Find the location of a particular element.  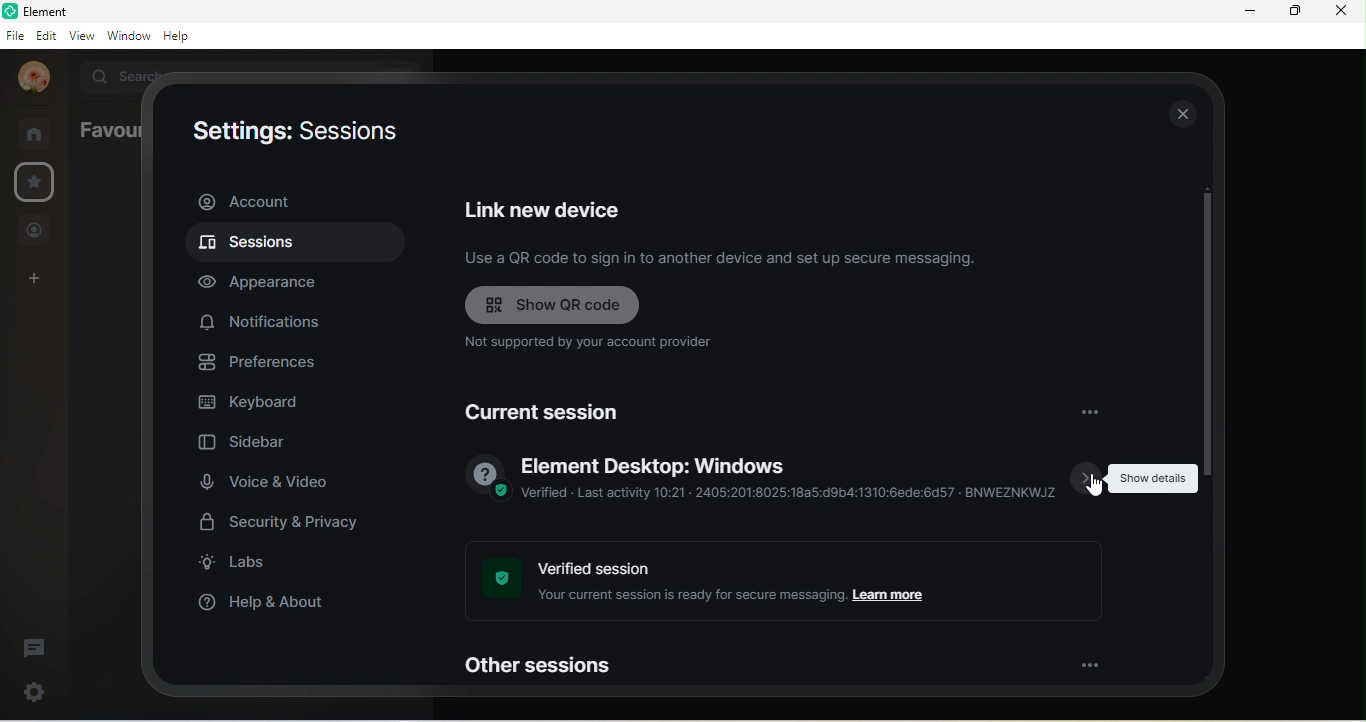

learn more is located at coordinates (891, 595).